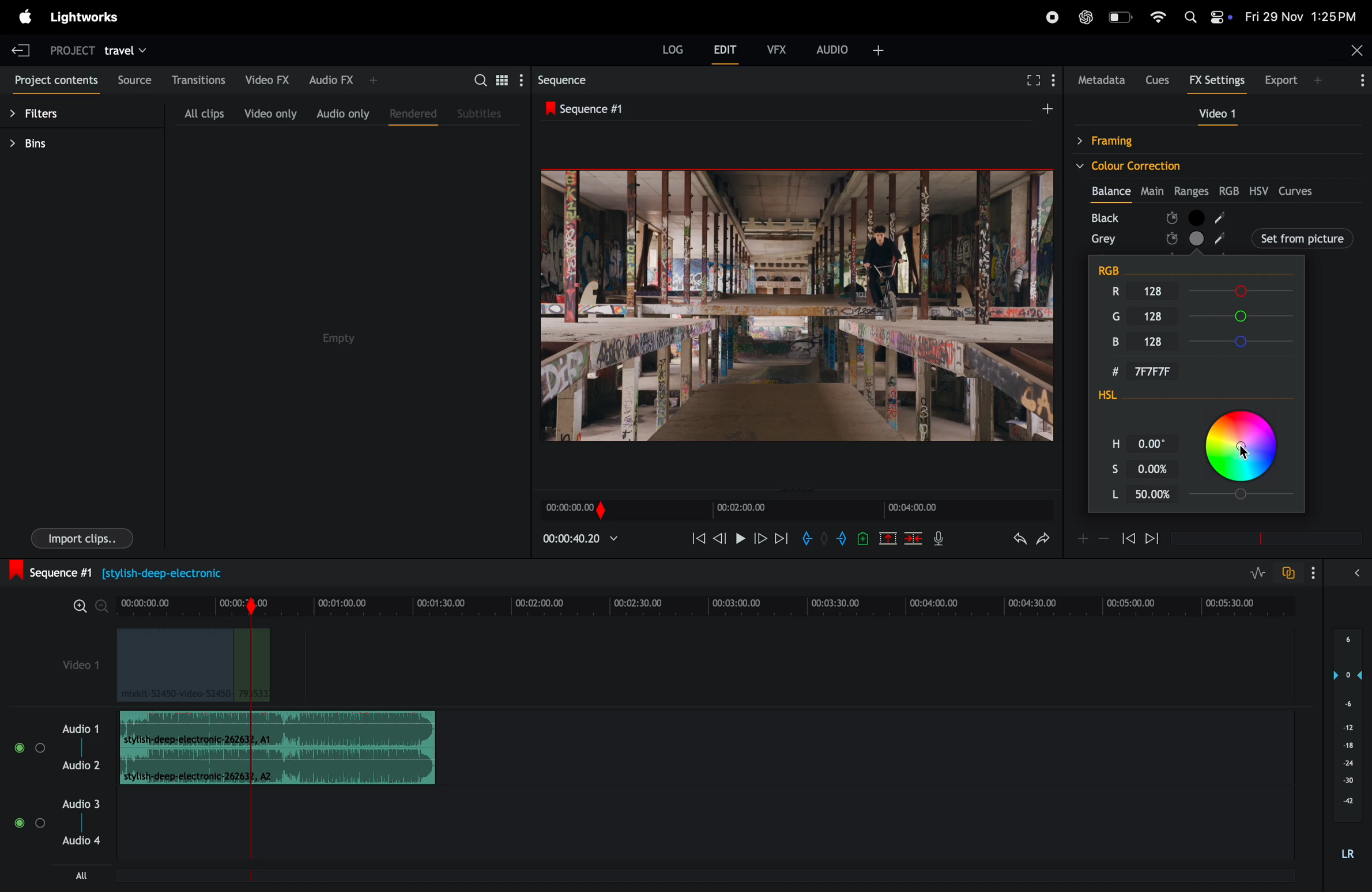 This screenshot has height=892, width=1372. What do you see at coordinates (782, 541) in the screenshot?
I see `forward play` at bounding box center [782, 541].